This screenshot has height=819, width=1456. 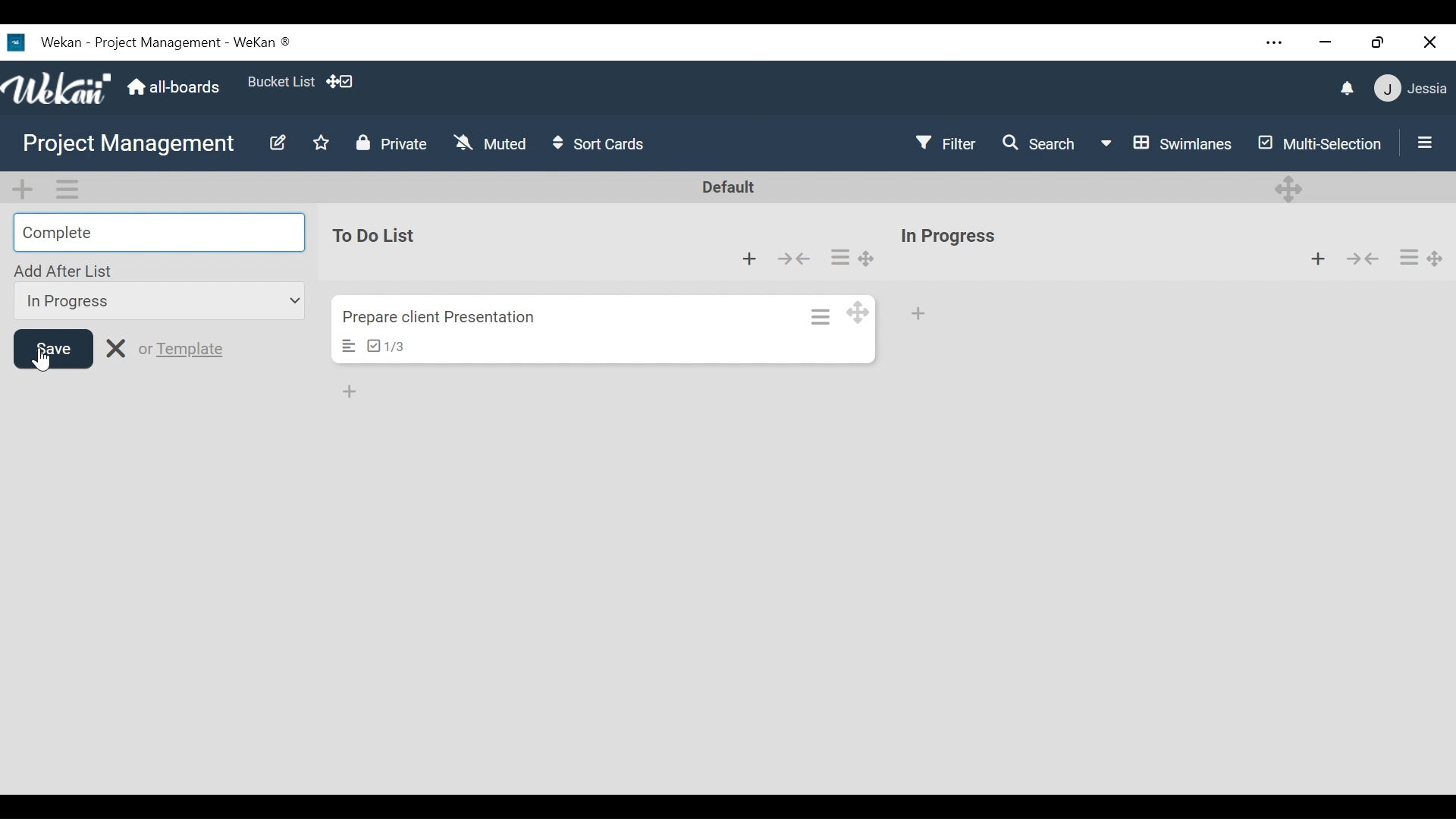 I want to click on Enter list name, so click(x=158, y=231).